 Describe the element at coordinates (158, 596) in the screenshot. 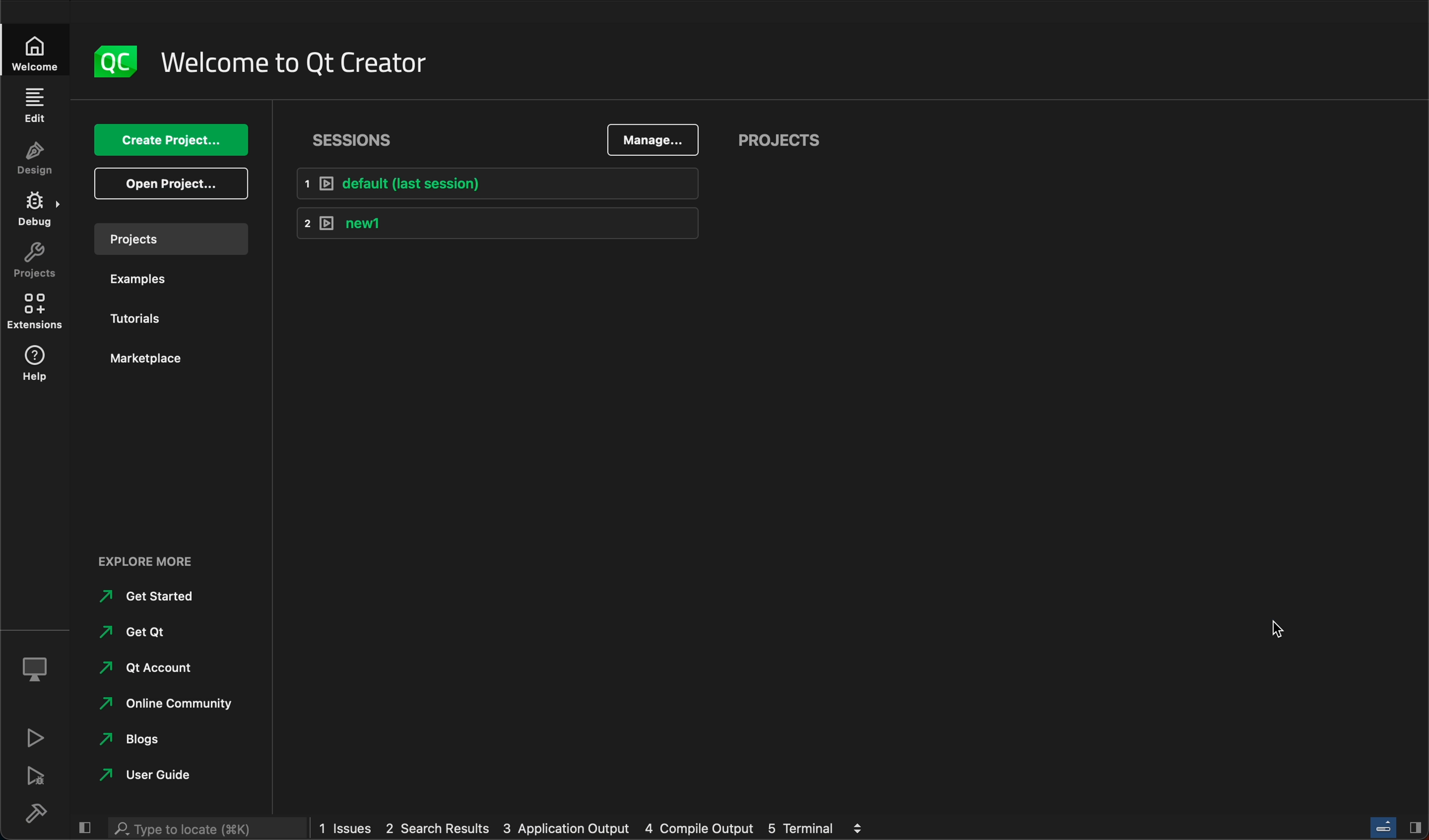

I see `get started` at that location.